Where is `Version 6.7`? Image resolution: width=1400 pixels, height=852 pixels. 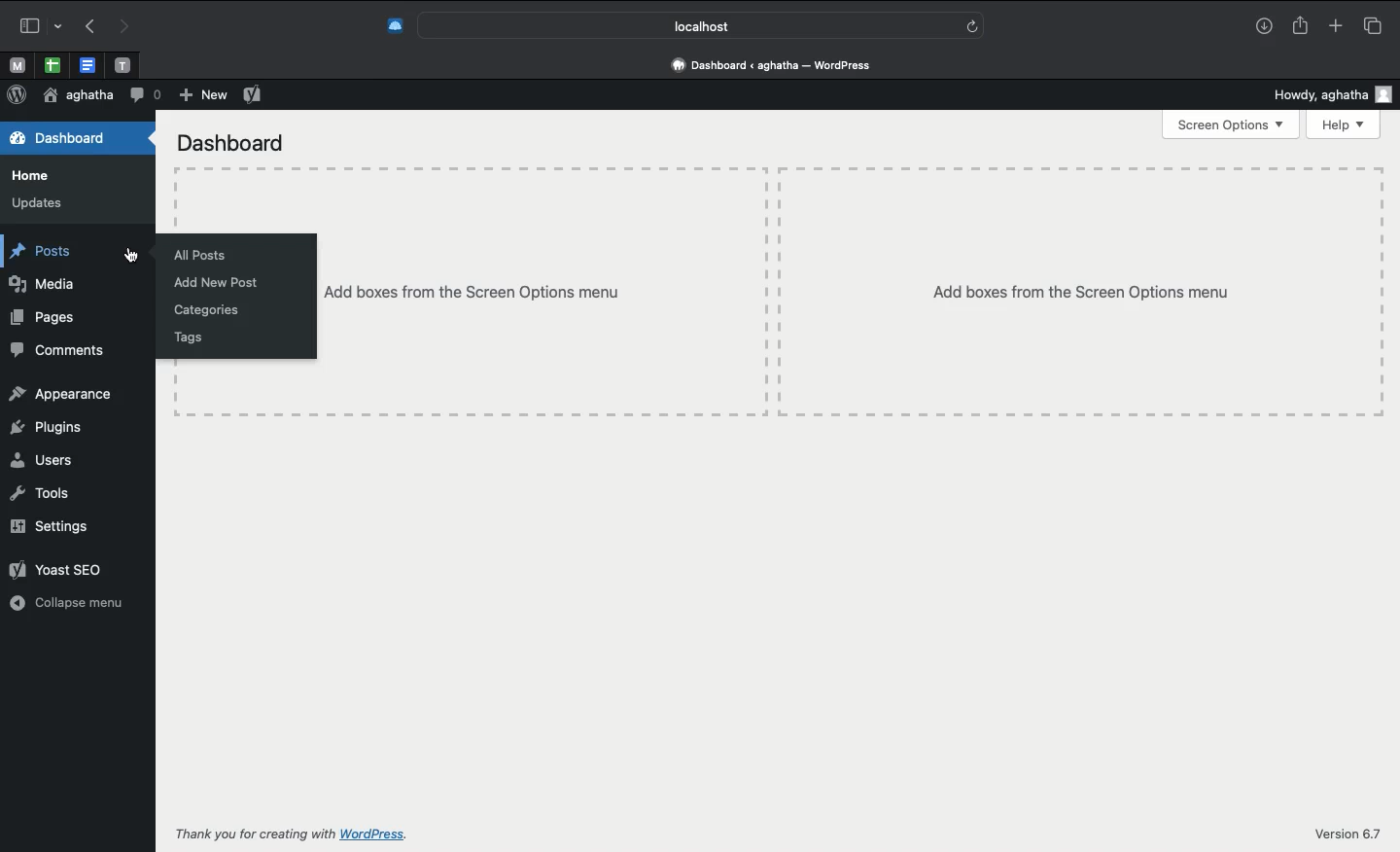
Version 6.7 is located at coordinates (1347, 832).